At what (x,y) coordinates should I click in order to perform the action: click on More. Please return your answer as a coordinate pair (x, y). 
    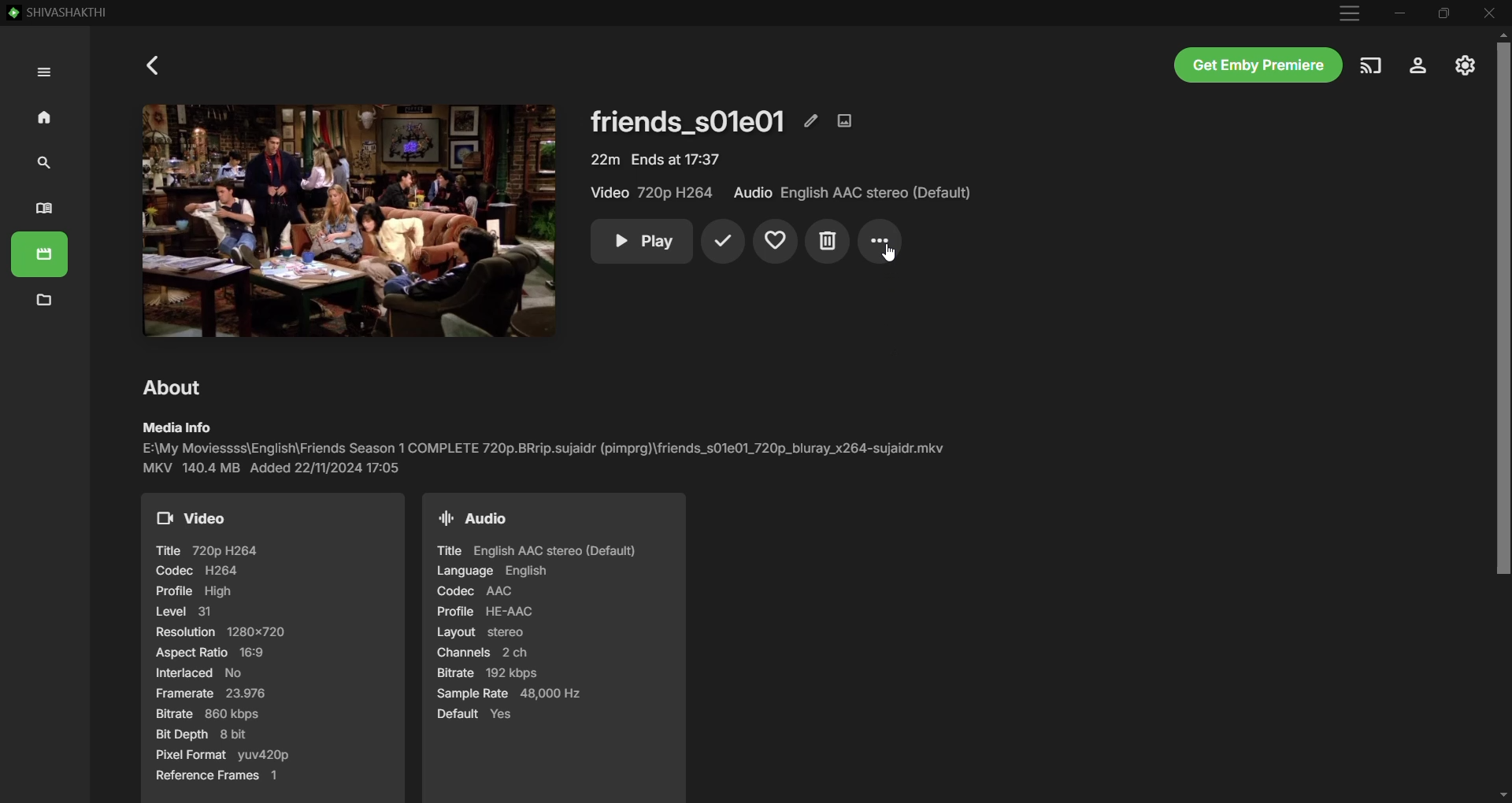
    Looking at the image, I should click on (880, 242).